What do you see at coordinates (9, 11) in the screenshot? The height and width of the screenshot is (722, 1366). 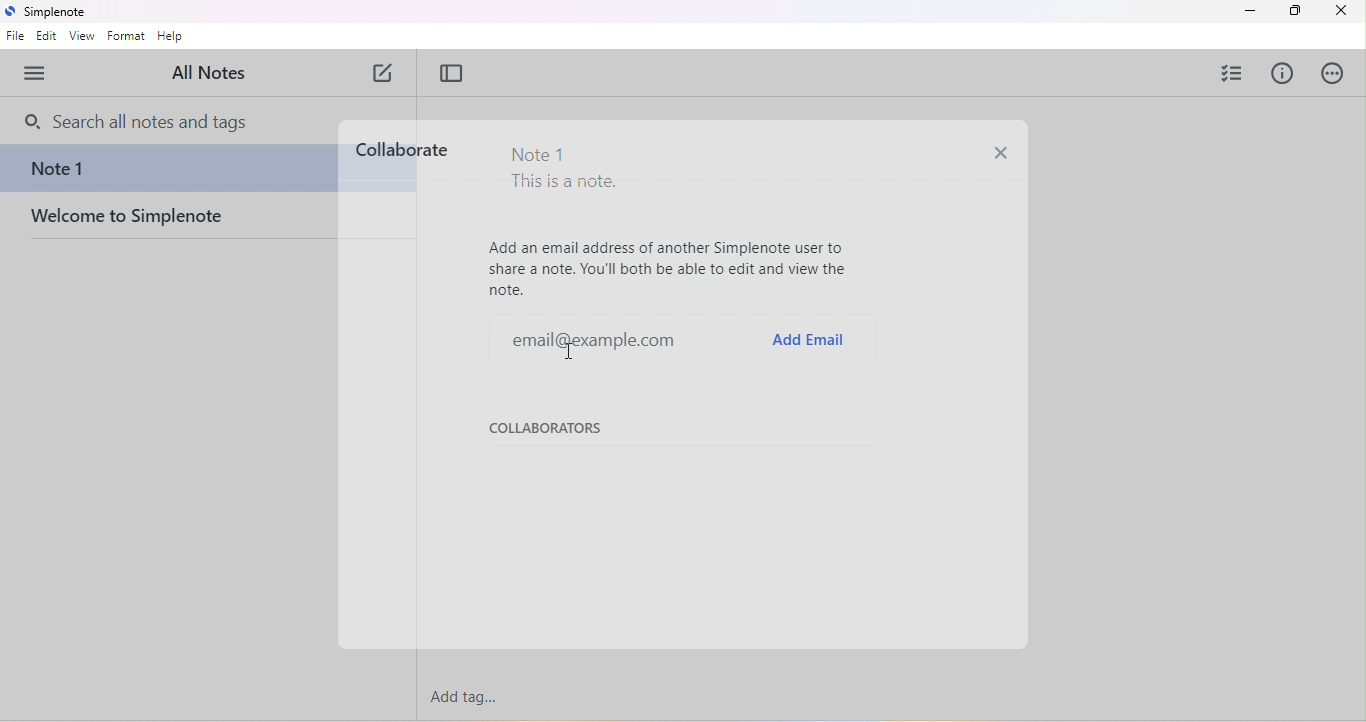 I see `simplenote logo` at bounding box center [9, 11].